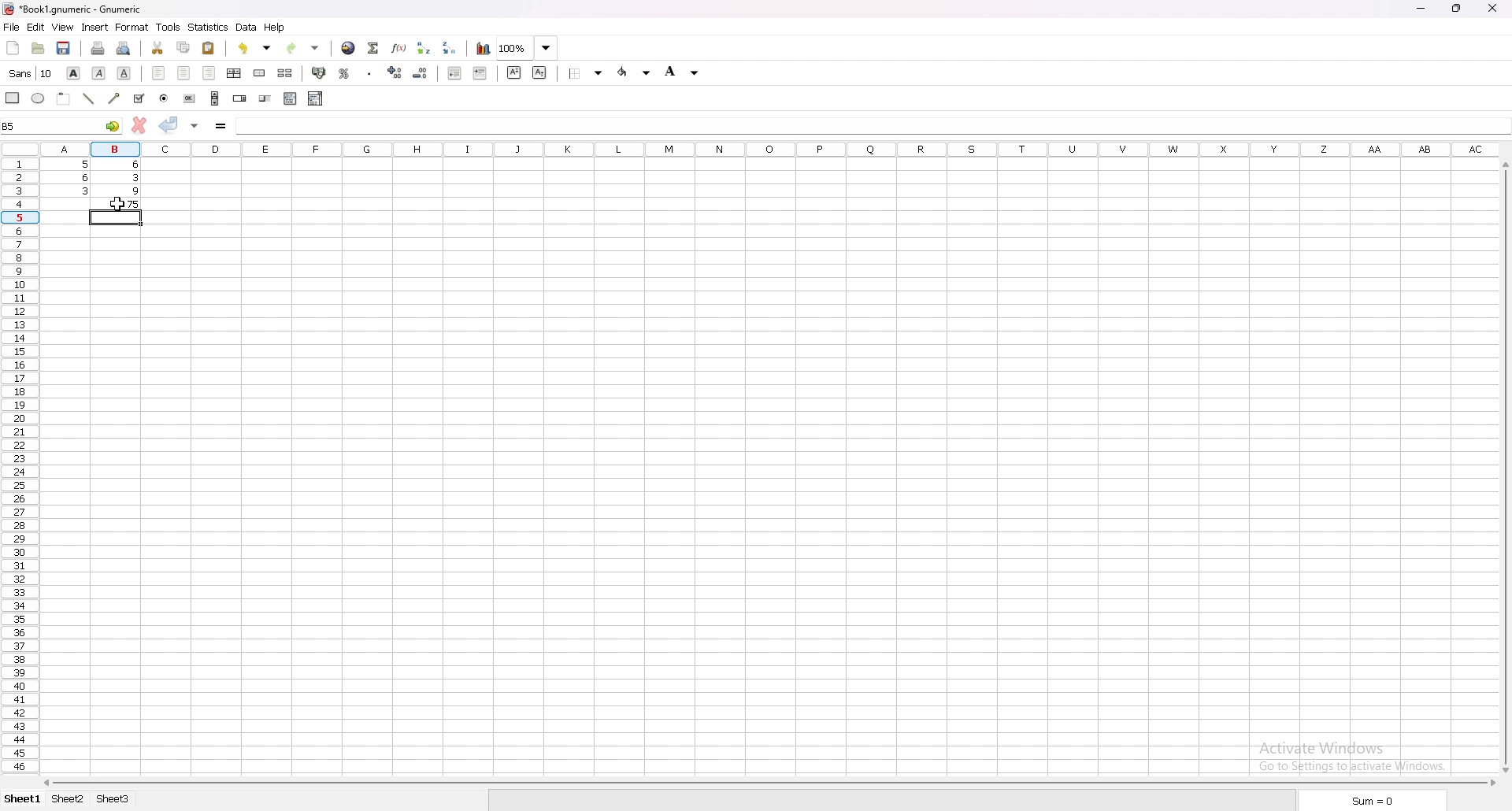 Image resolution: width=1512 pixels, height=811 pixels. Describe the element at coordinates (870, 124) in the screenshot. I see `cell input` at that location.